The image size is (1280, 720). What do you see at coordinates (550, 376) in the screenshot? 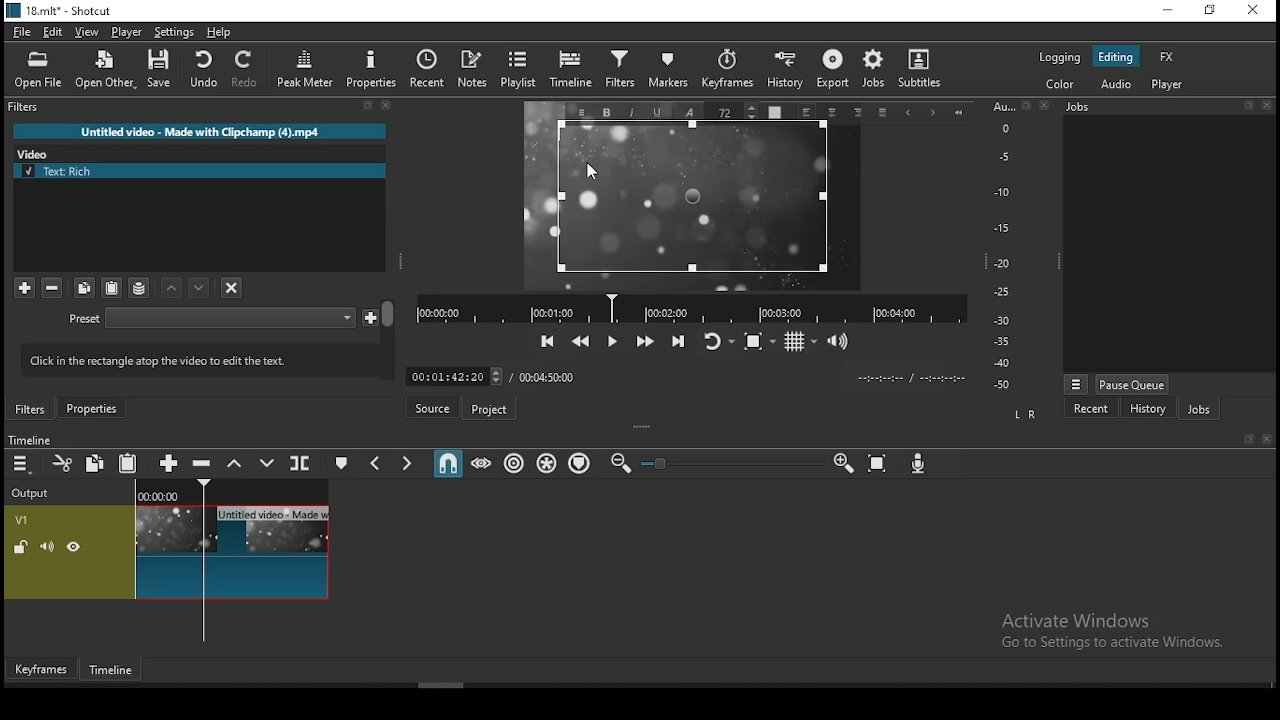
I see `total time` at bounding box center [550, 376].